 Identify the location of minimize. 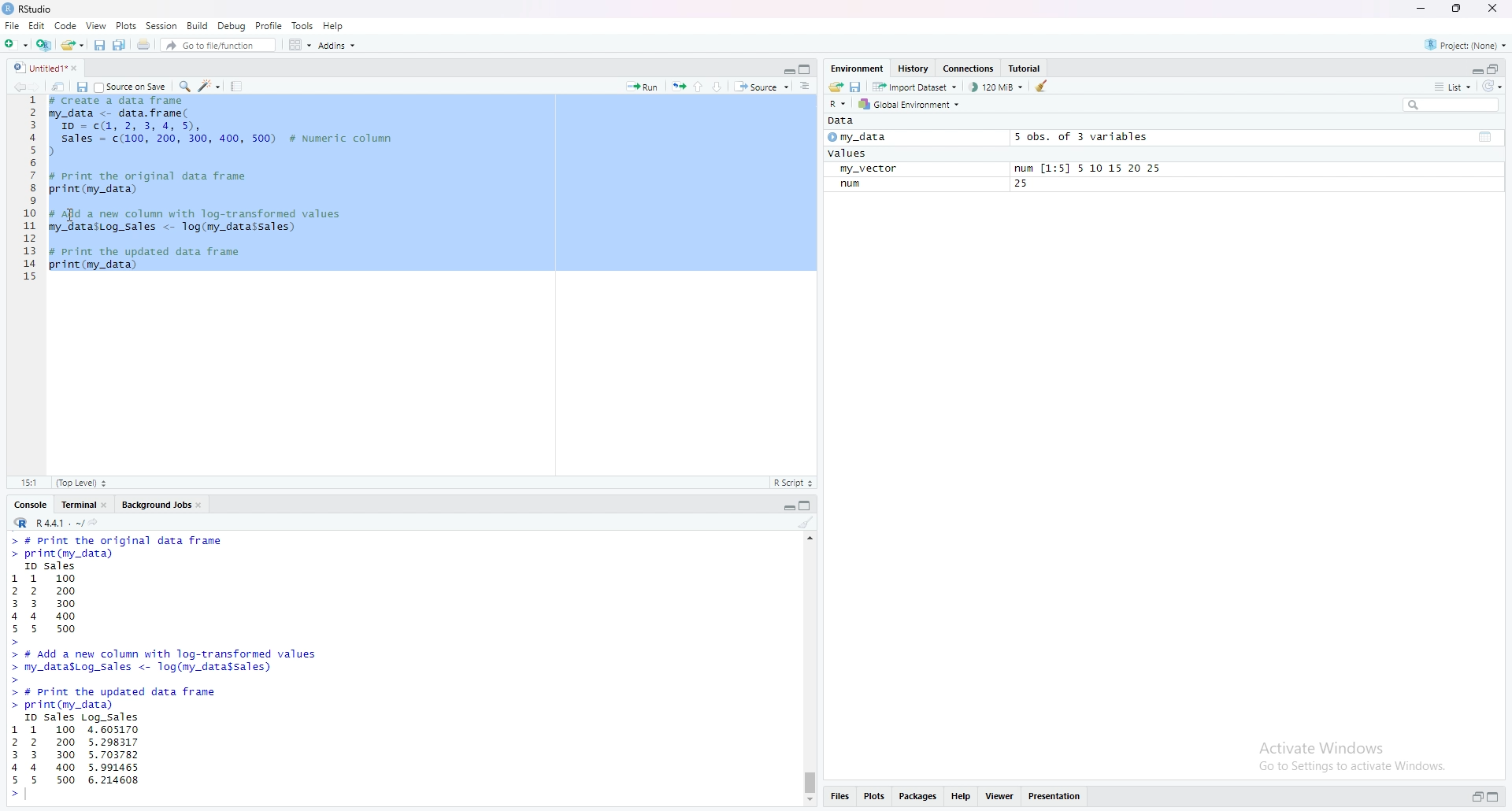
(1473, 796).